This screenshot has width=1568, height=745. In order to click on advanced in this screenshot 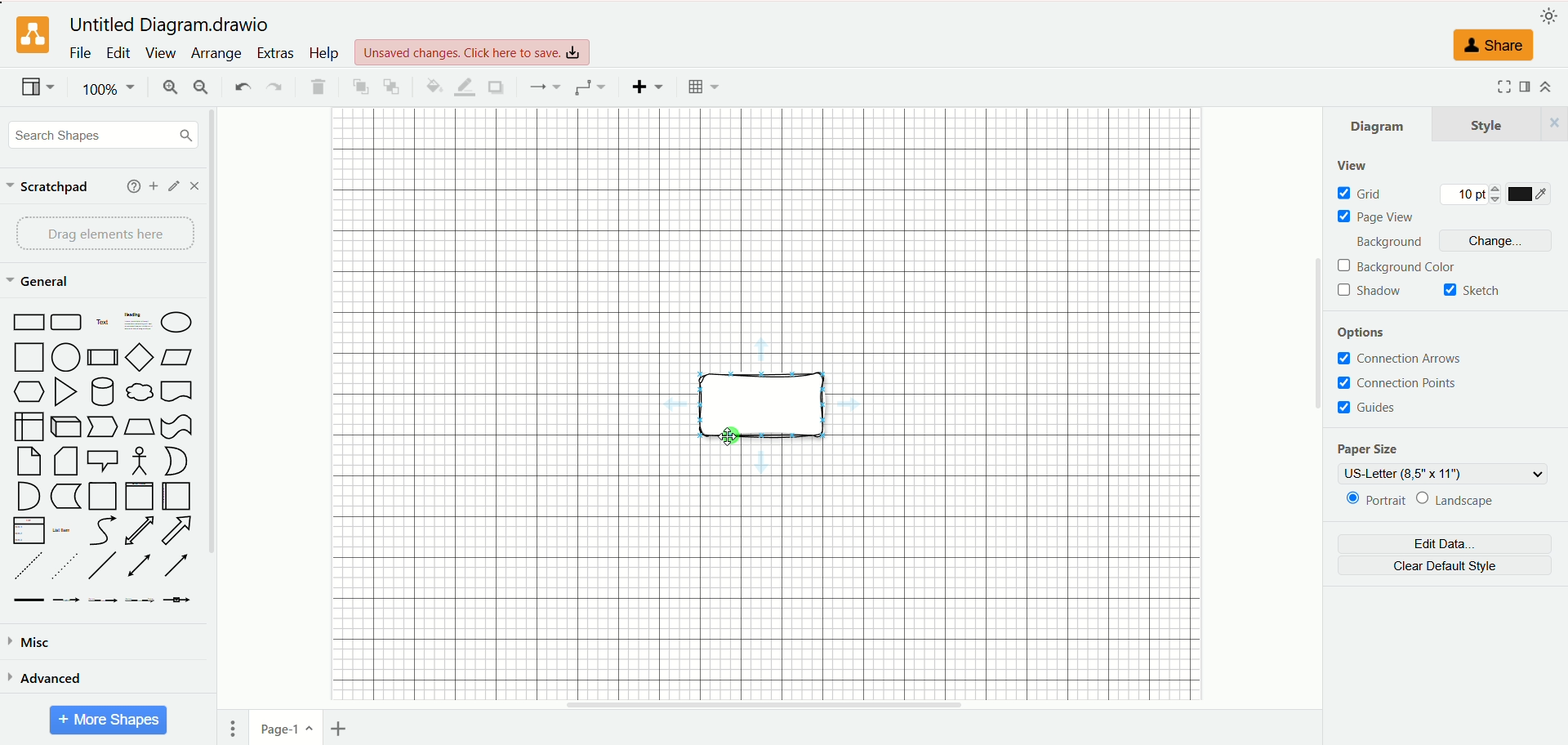, I will do `click(45, 677)`.